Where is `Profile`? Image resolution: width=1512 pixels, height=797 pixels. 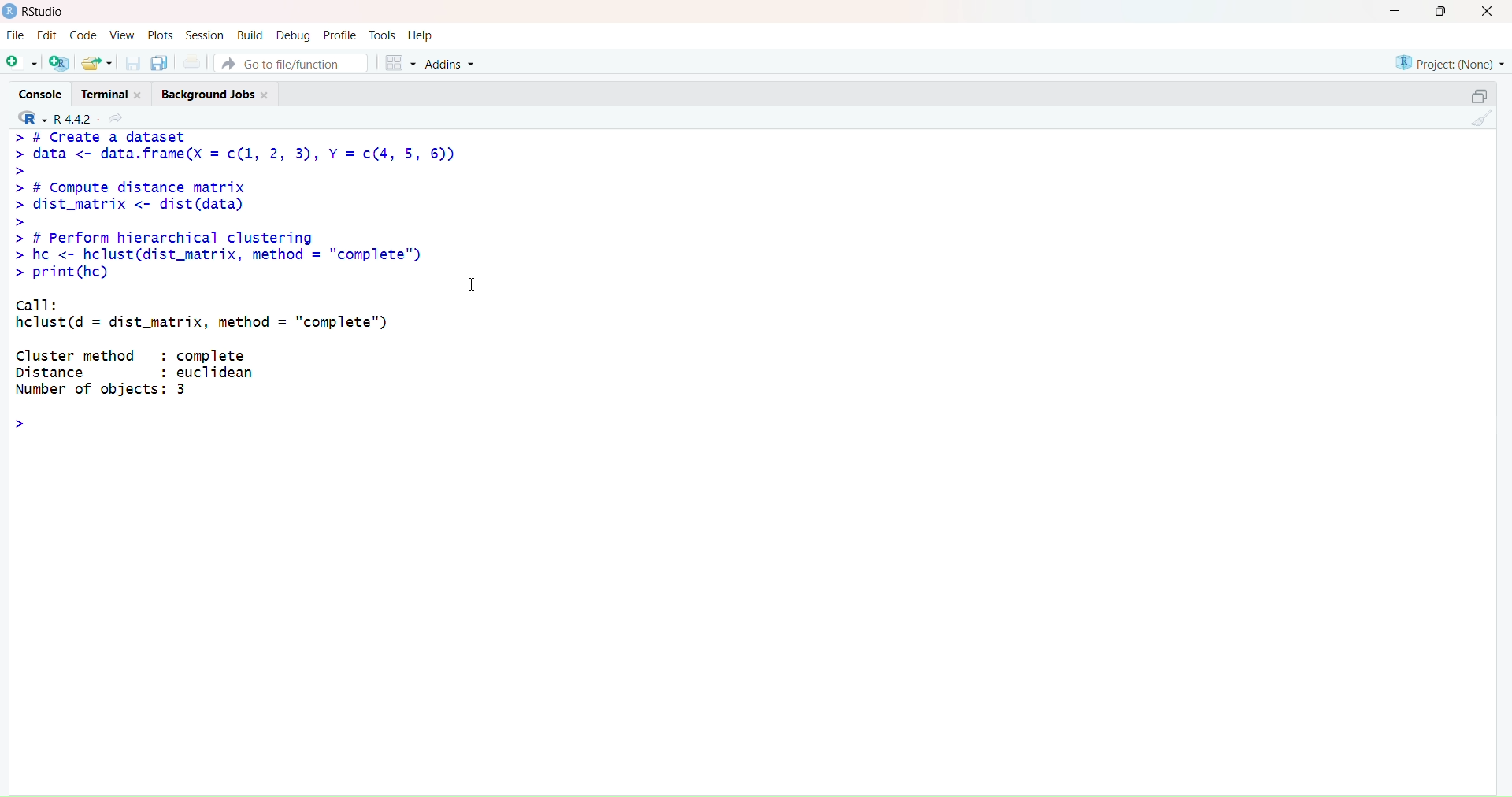 Profile is located at coordinates (338, 35).